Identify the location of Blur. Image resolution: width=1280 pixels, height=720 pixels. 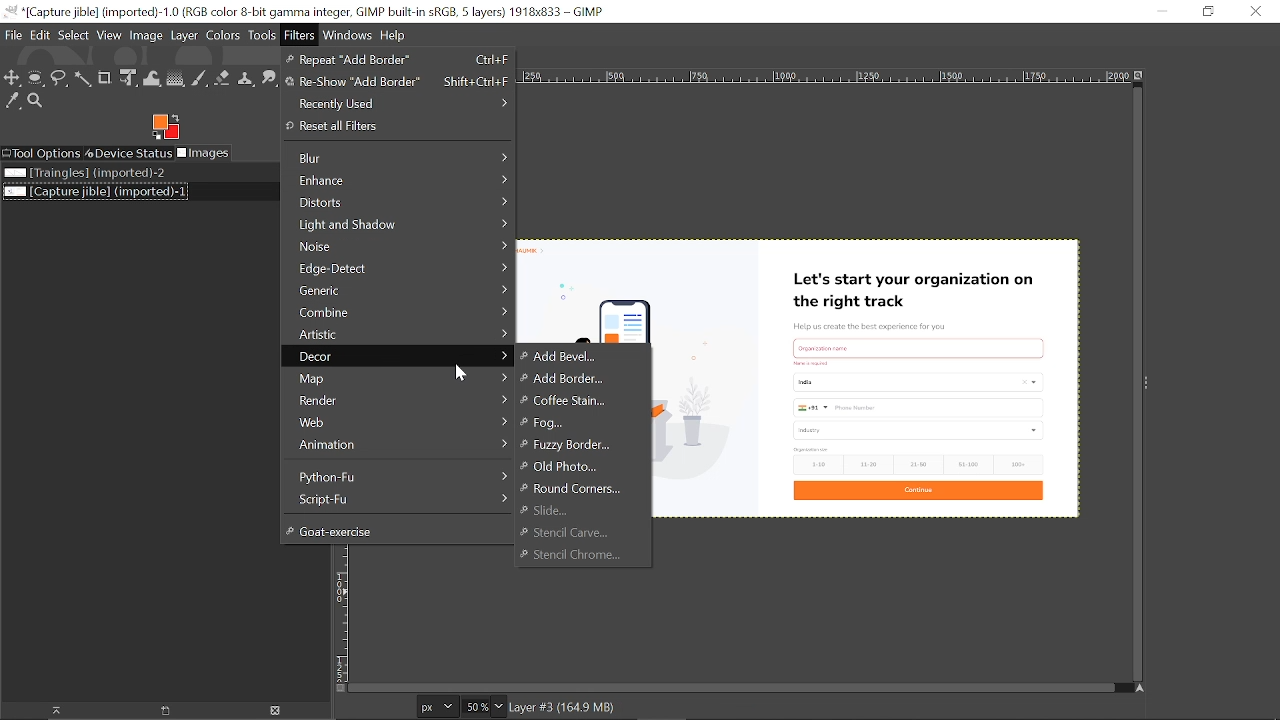
(401, 159).